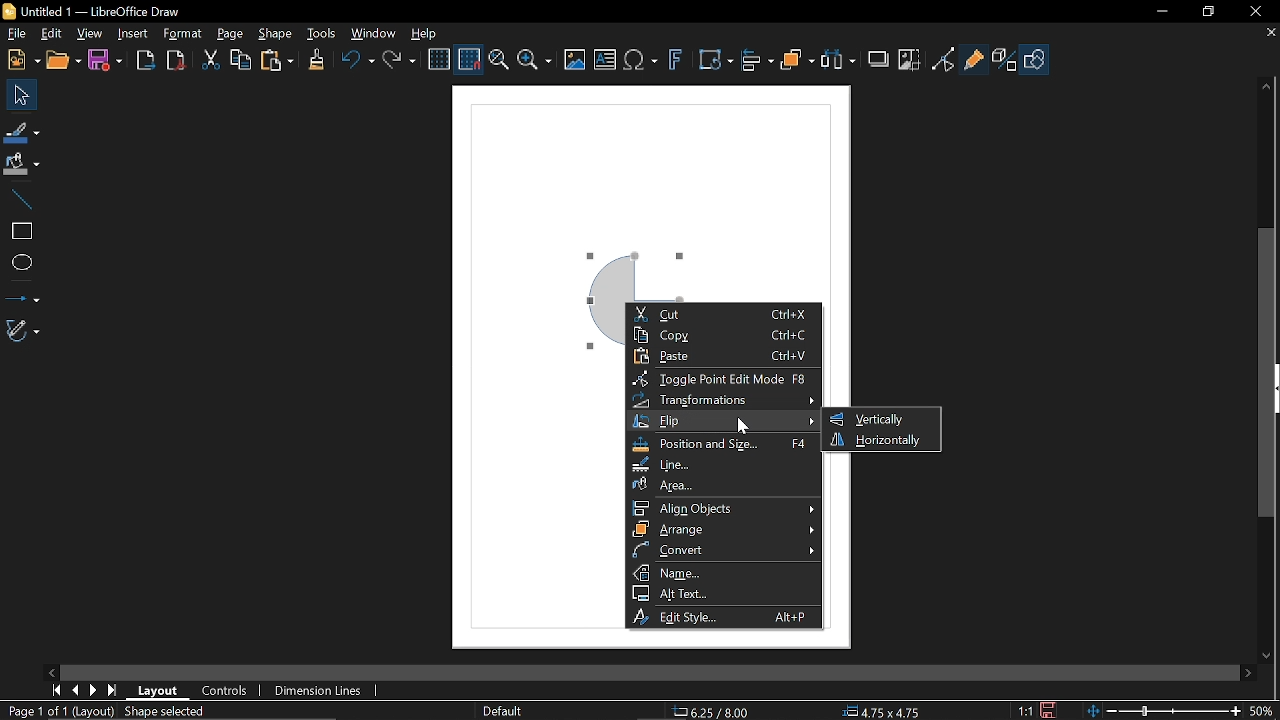  What do you see at coordinates (974, 61) in the screenshot?
I see `GLue` at bounding box center [974, 61].